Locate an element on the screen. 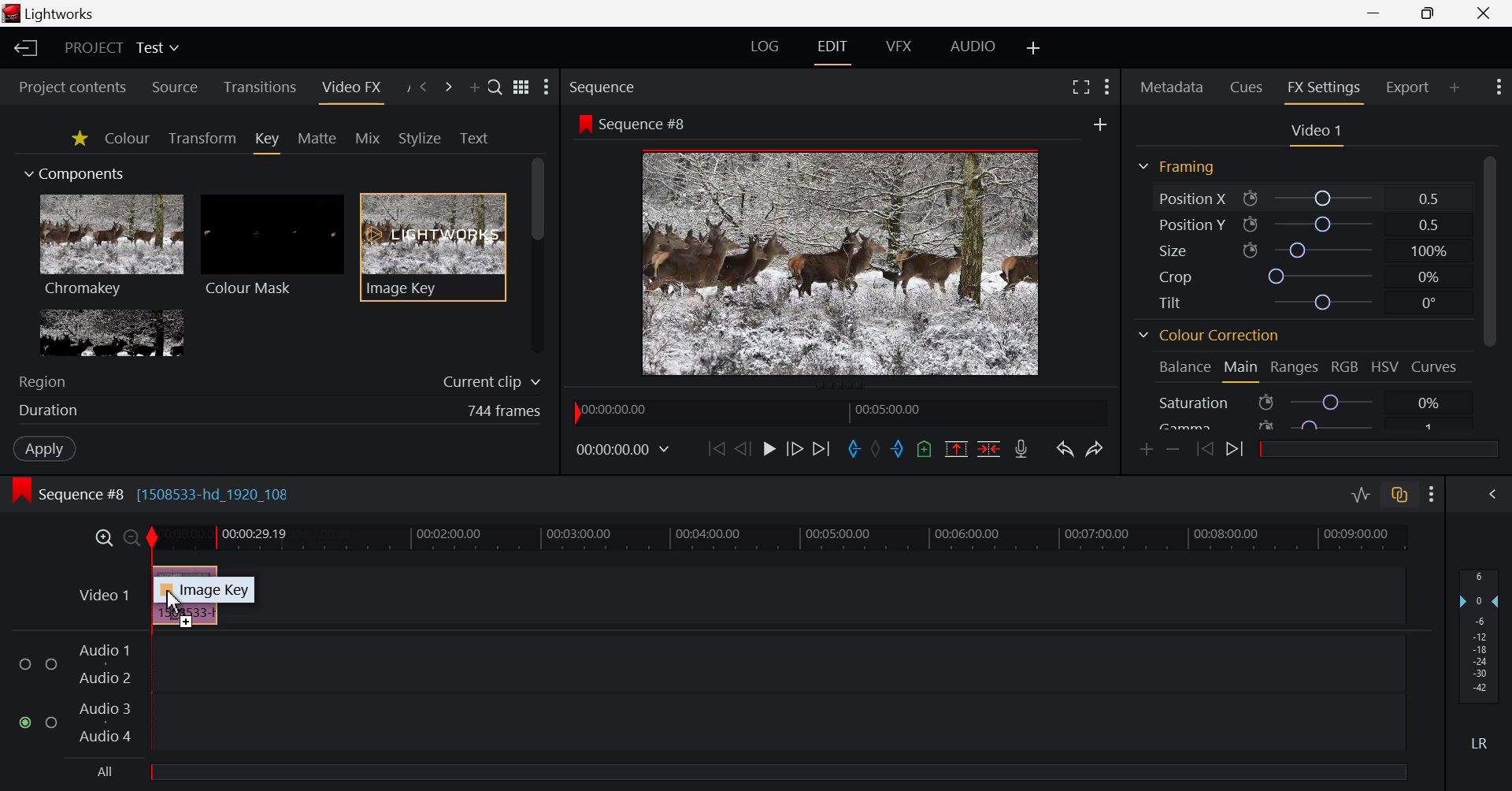  icon is located at coordinates (1266, 402).